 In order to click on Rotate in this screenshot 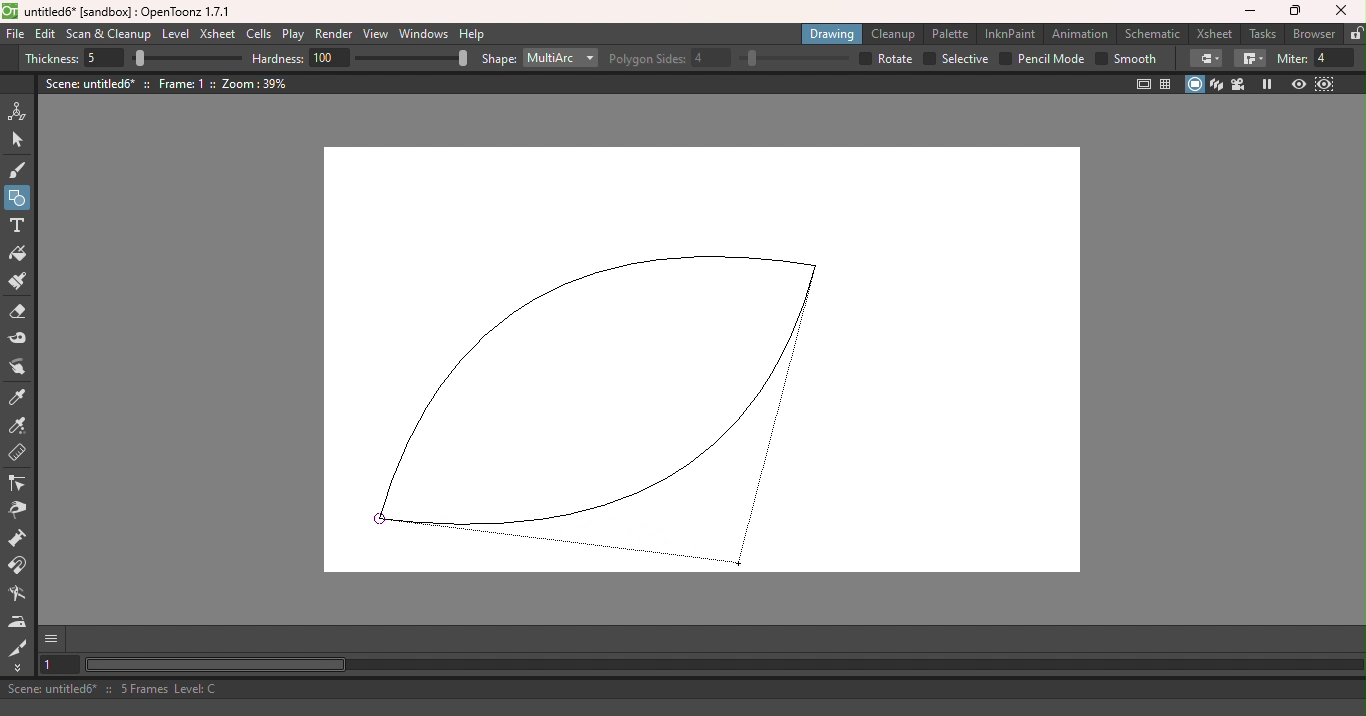, I will do `click(886, 59)`.